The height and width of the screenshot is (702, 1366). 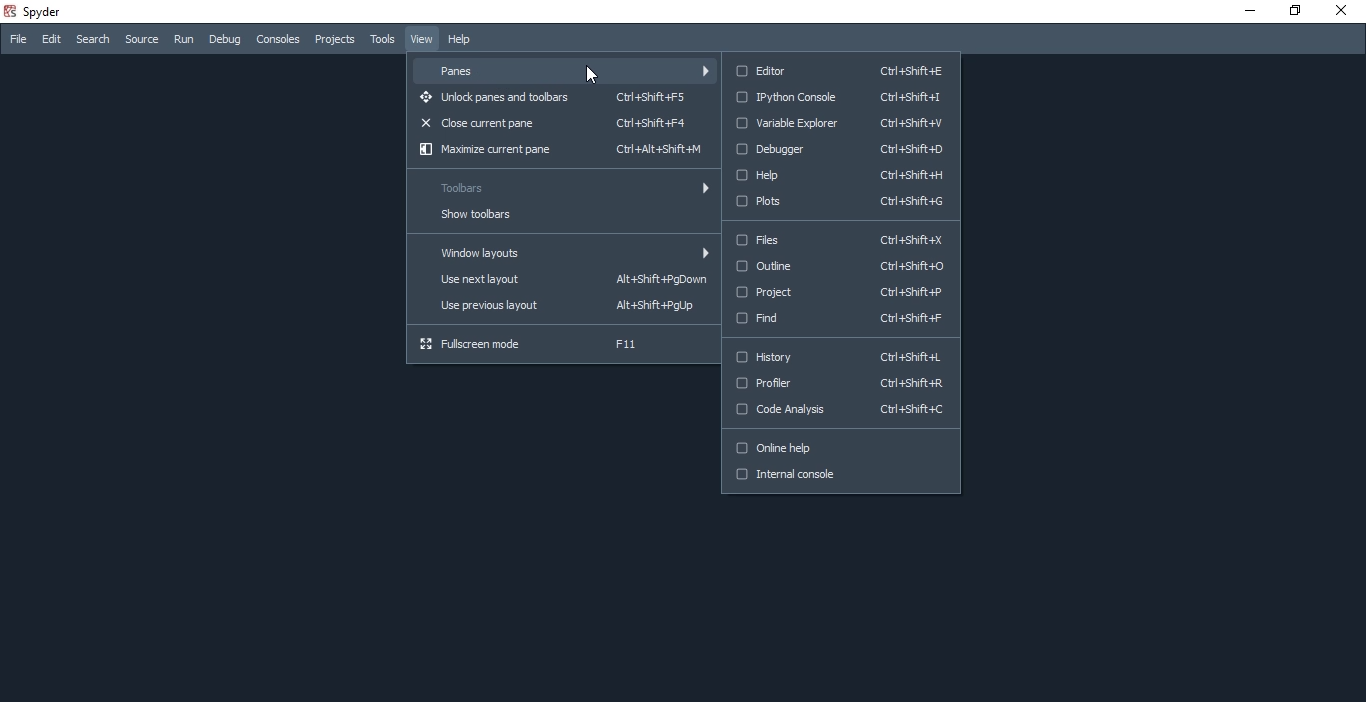 What do you see at coordinates (92, 40) in the screenshot?
I see `Search` at bounding box center [92, 40].